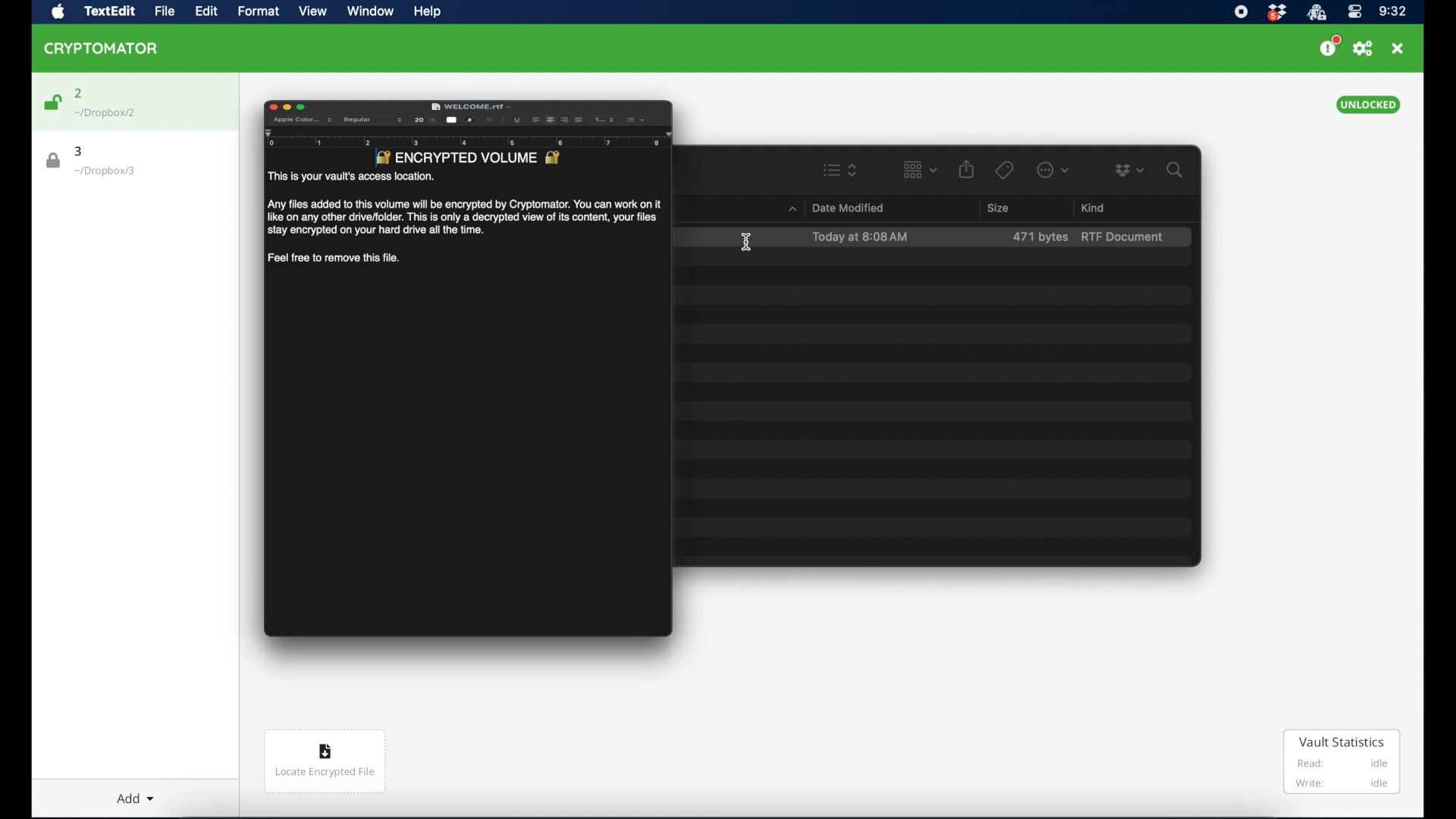 The height and width of the screenshot is (819, 1456). What do you see at coordinates (861, 237) in the screenshot?
I see `date` at bounding box center [861, 237].